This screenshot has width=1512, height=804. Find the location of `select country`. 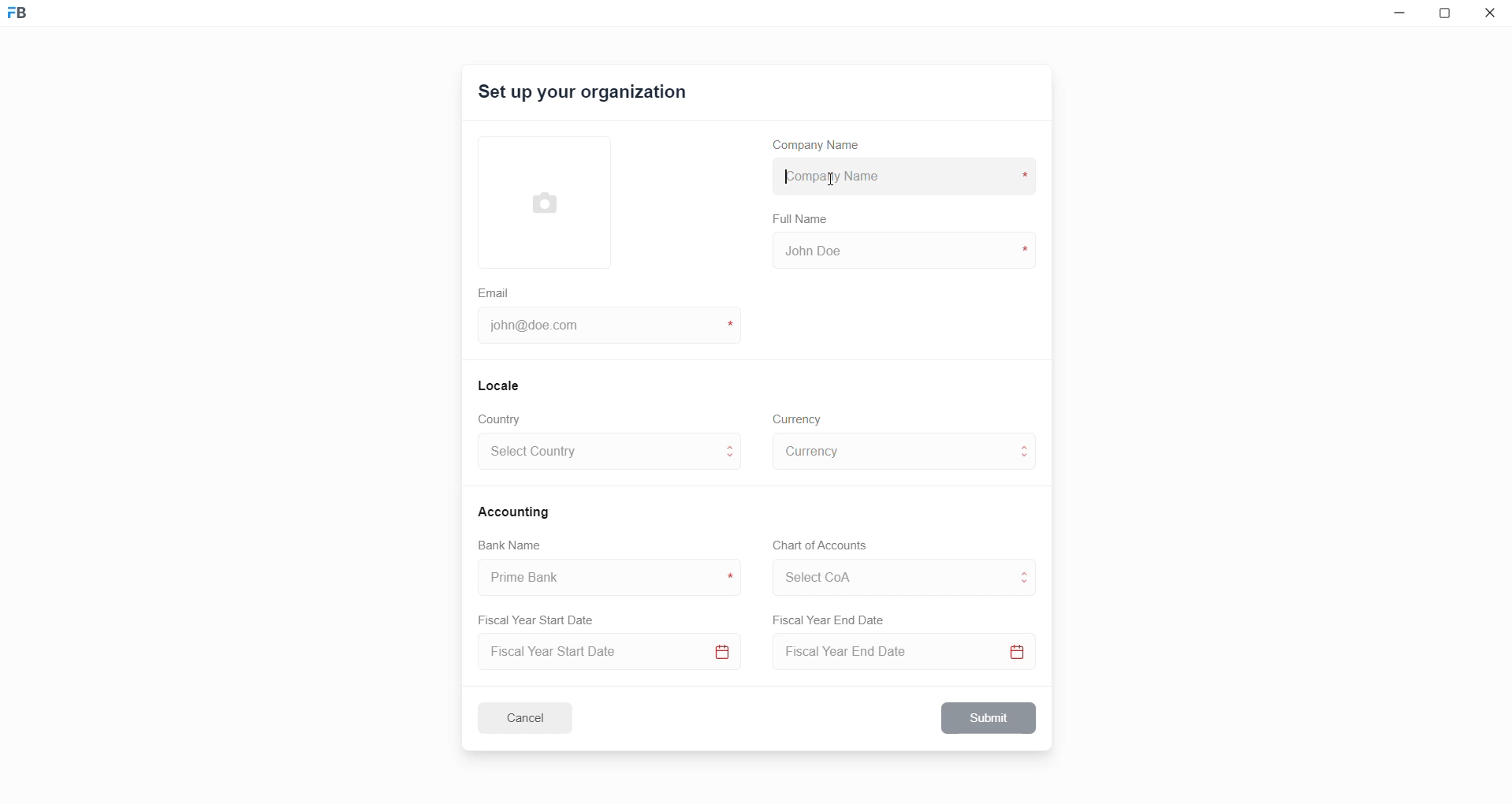

select country is located at coordinates (598, 454).